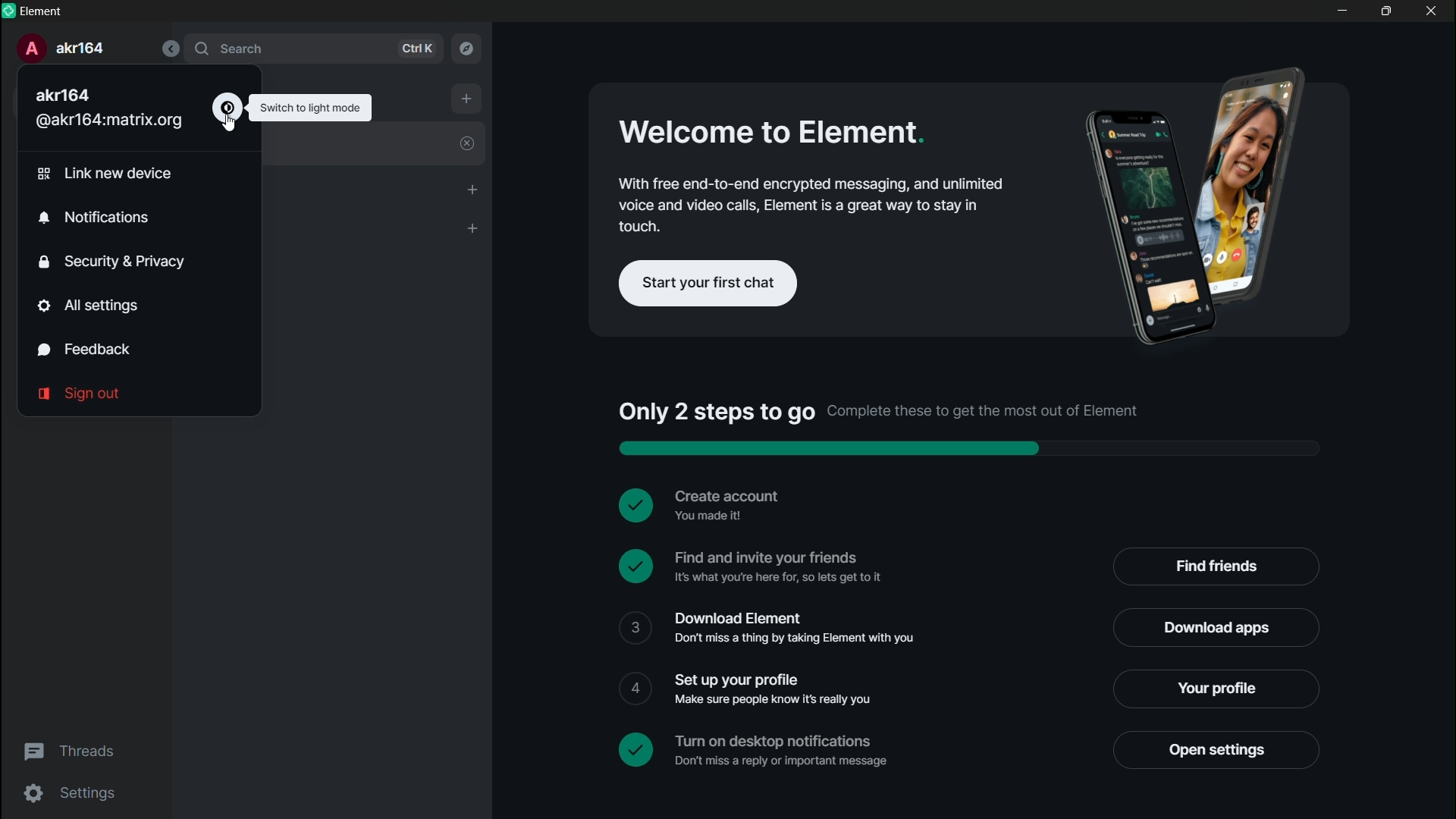 The image size is (1456, 819). What do you see at coordinates (1388, 11) in the screenshot?
I see `maximize or restore` at bounding box center [1388, 11].